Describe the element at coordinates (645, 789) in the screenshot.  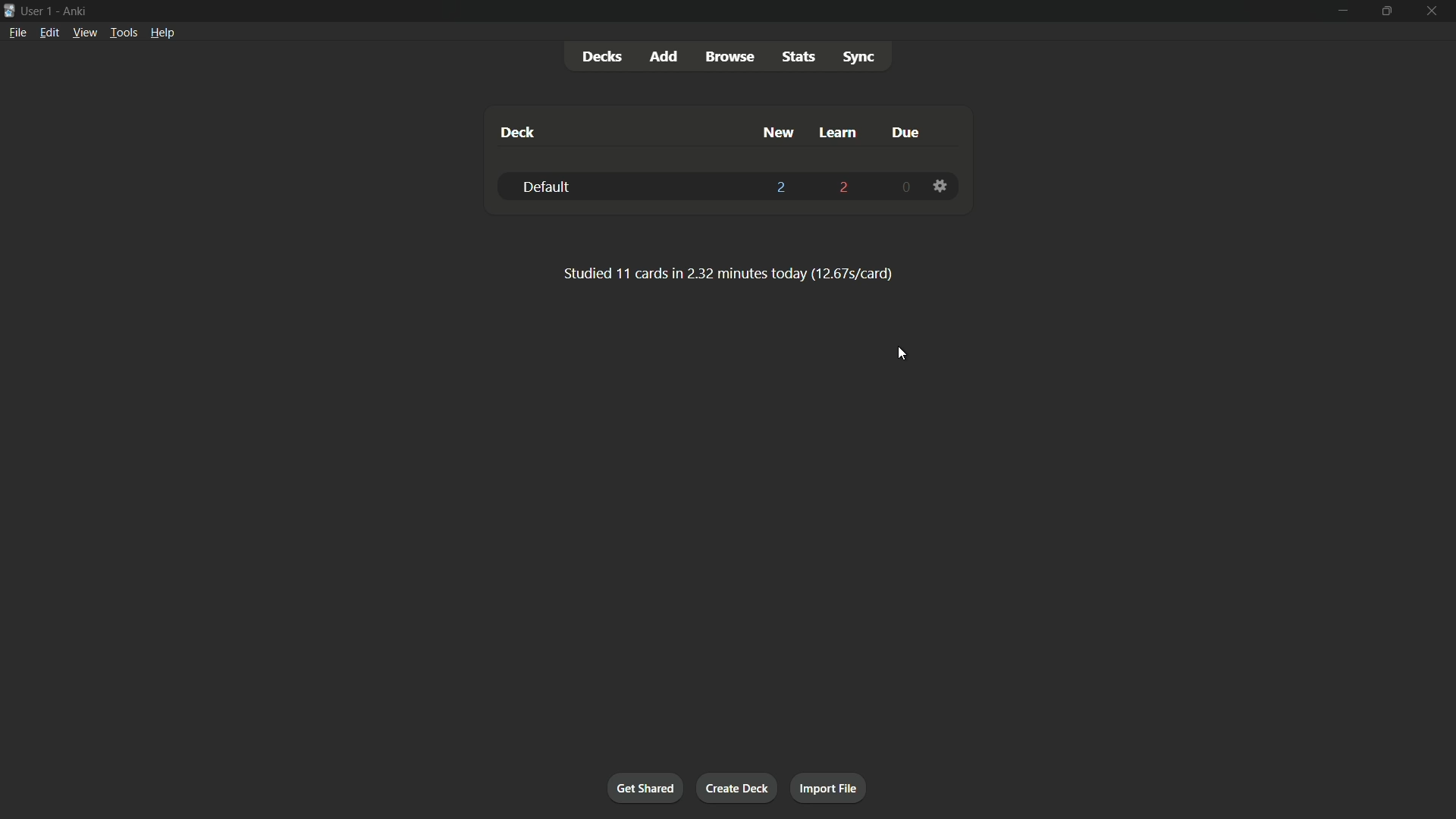
I see `get shared` at that location.